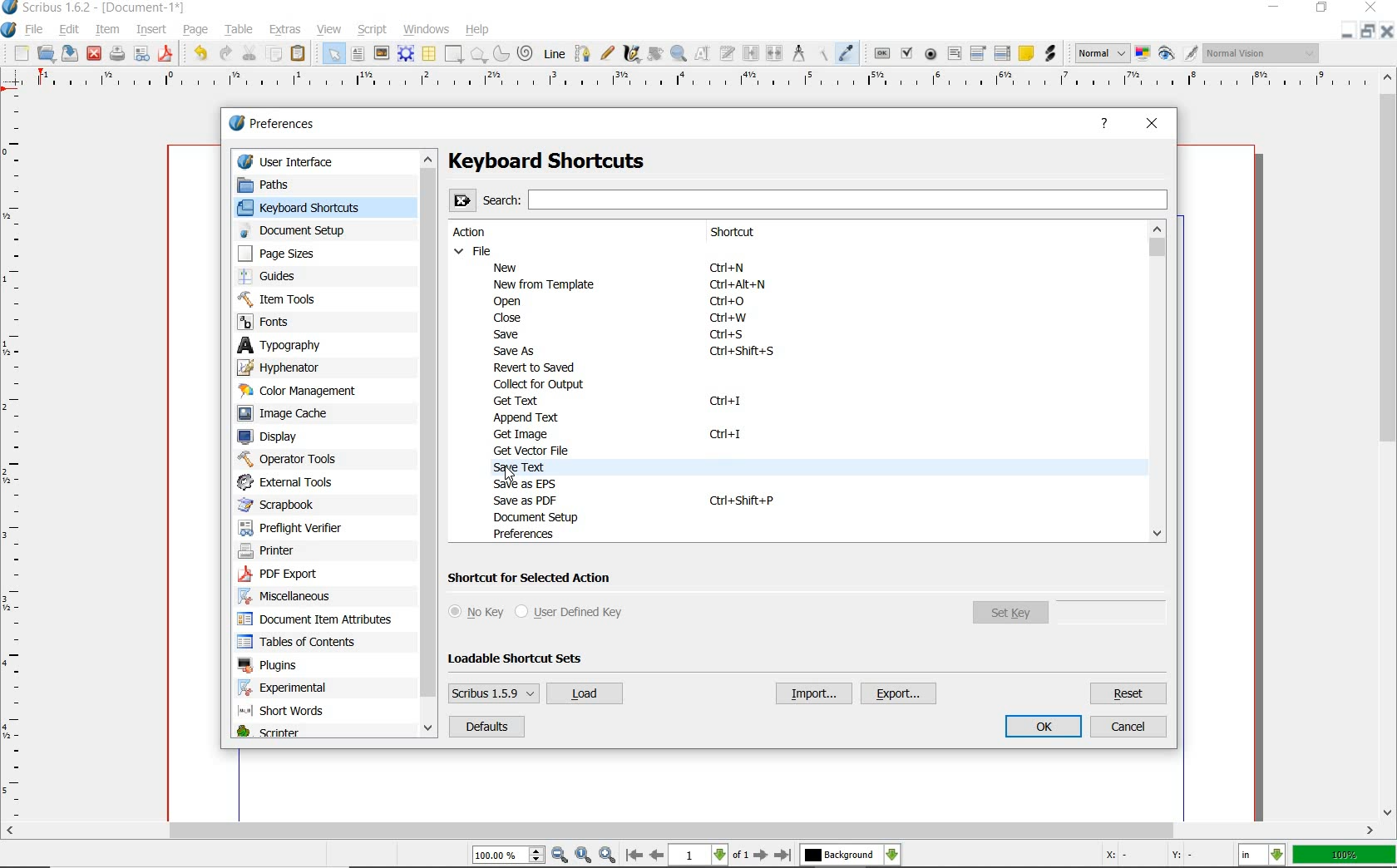 The height and width of the screenshot is (868, 1397). Describe the element at coordinates (753, 53) in the screenshot. I see `link text frames` at that location.